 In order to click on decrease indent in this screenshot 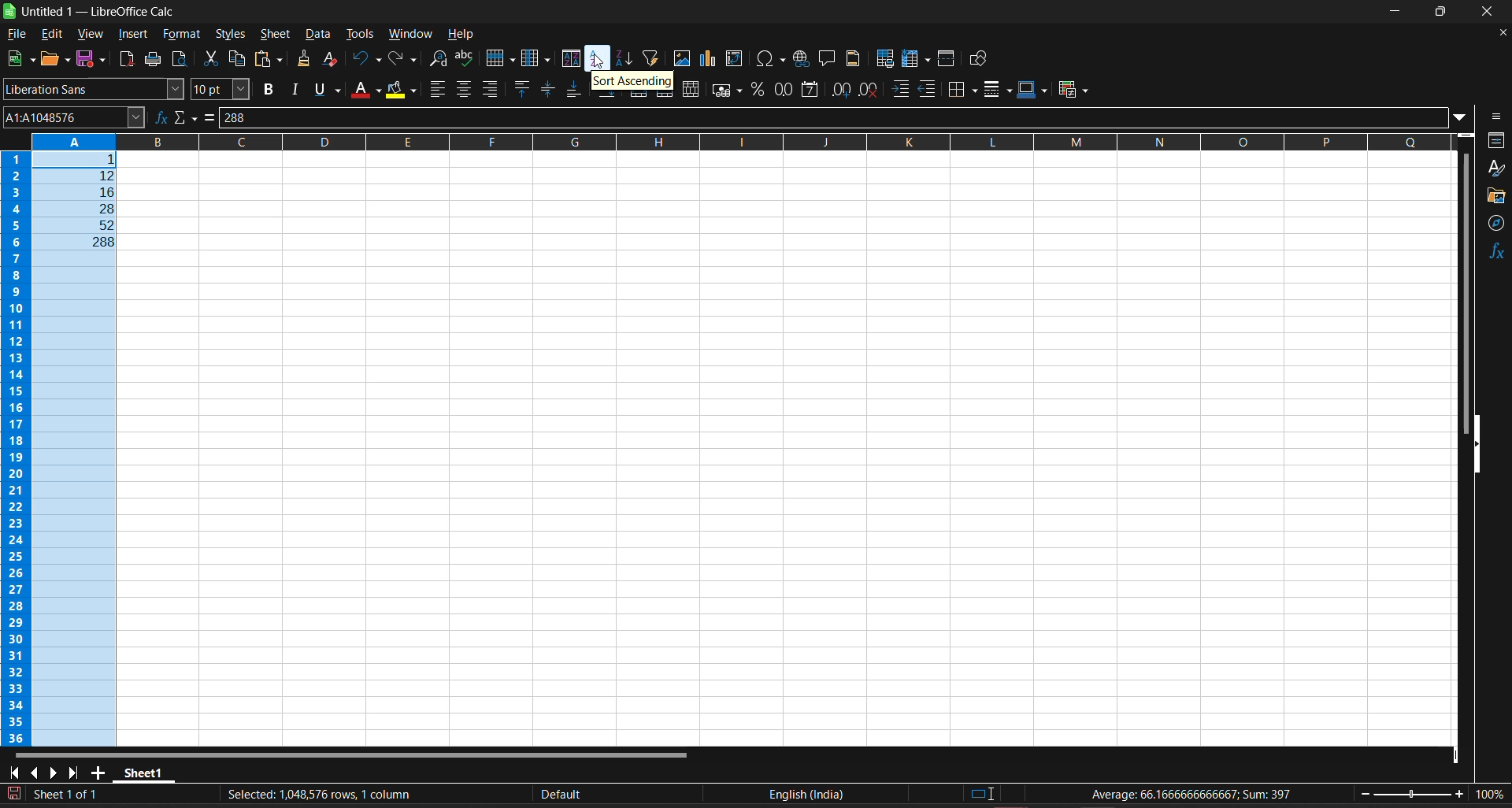, I will do `click(928, 88)`.